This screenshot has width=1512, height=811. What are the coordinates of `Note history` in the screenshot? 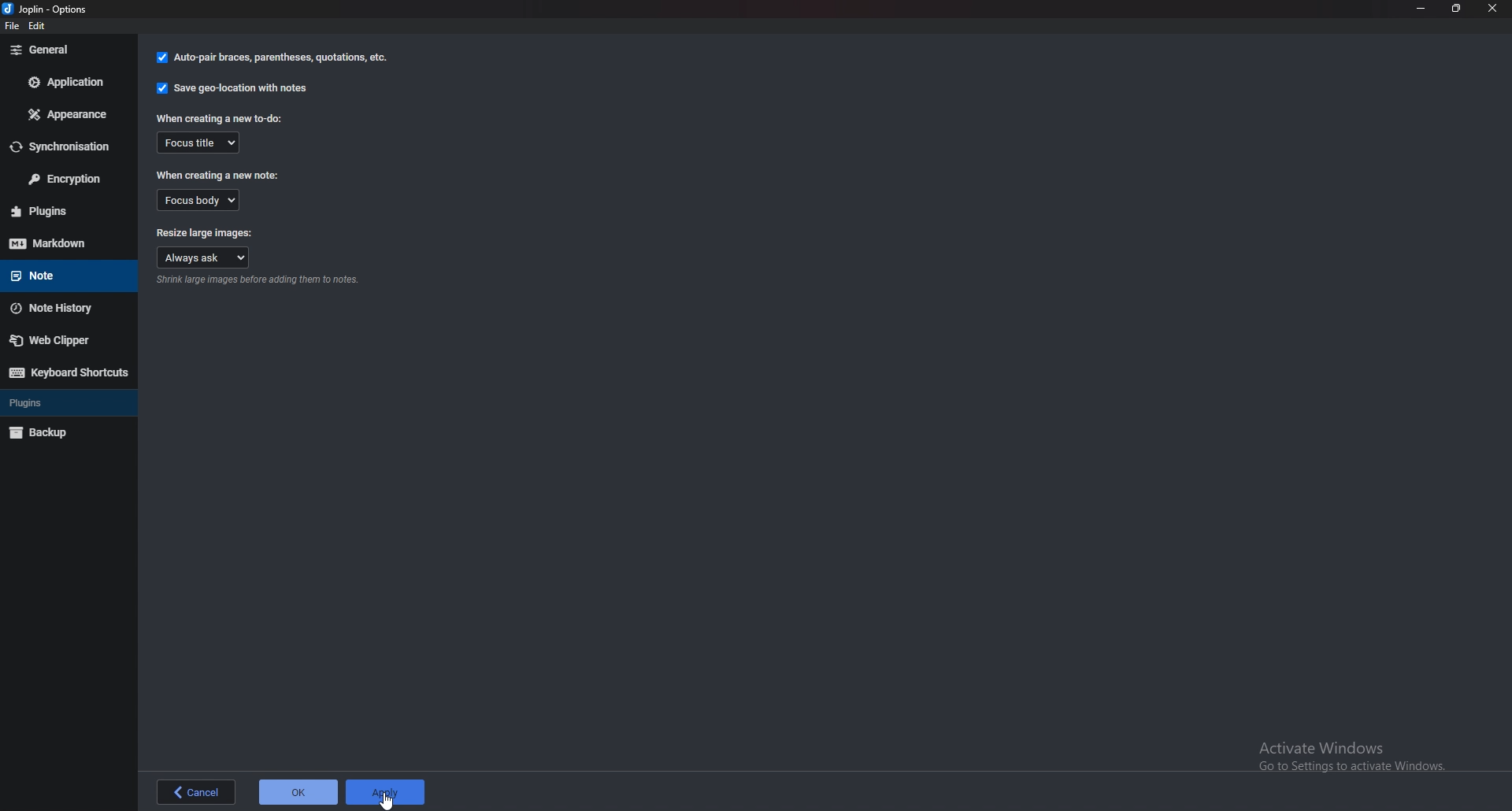 It's located at (63, 308).